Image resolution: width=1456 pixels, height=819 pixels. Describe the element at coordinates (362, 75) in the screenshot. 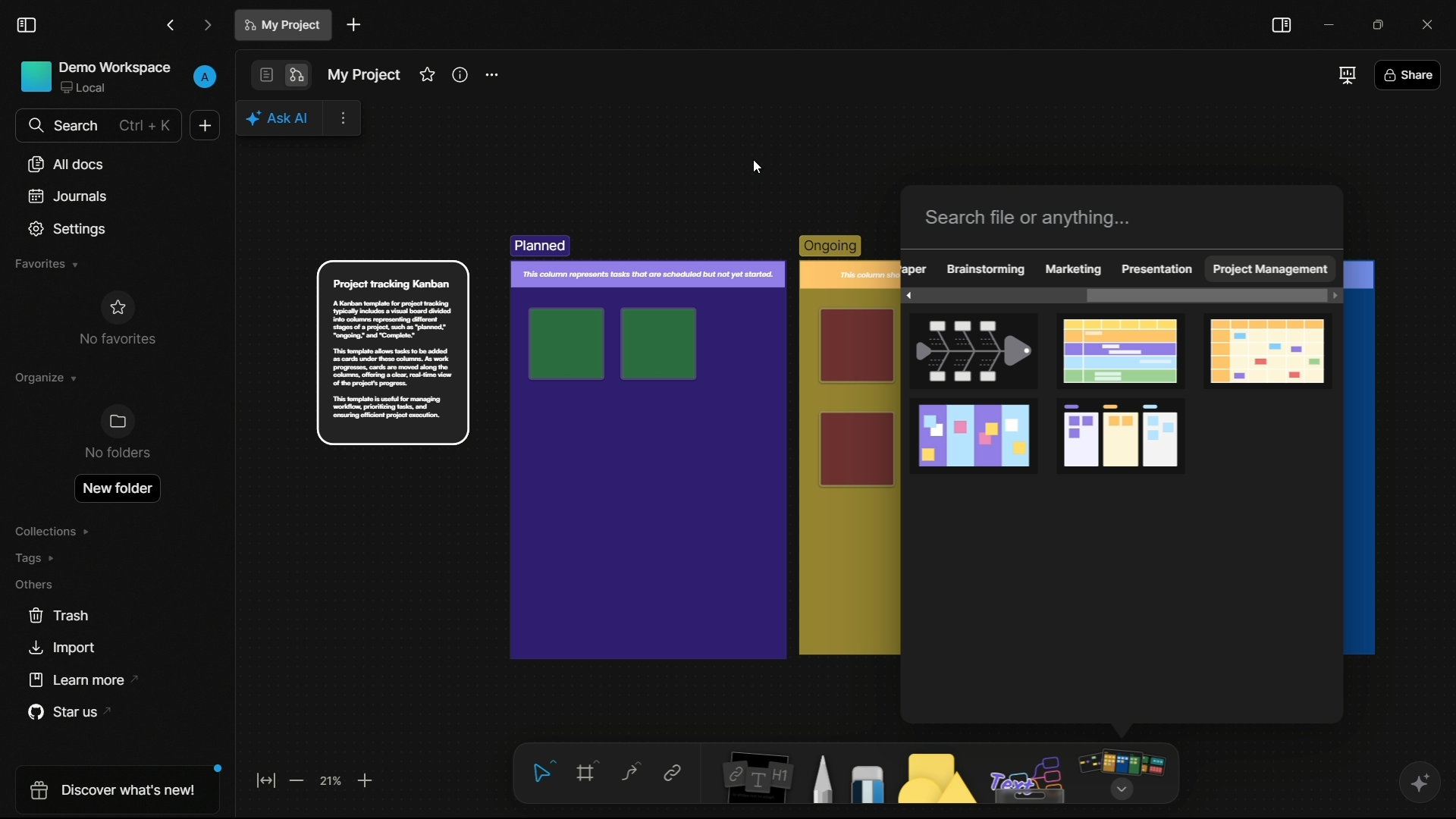

I see `document name` at that location.